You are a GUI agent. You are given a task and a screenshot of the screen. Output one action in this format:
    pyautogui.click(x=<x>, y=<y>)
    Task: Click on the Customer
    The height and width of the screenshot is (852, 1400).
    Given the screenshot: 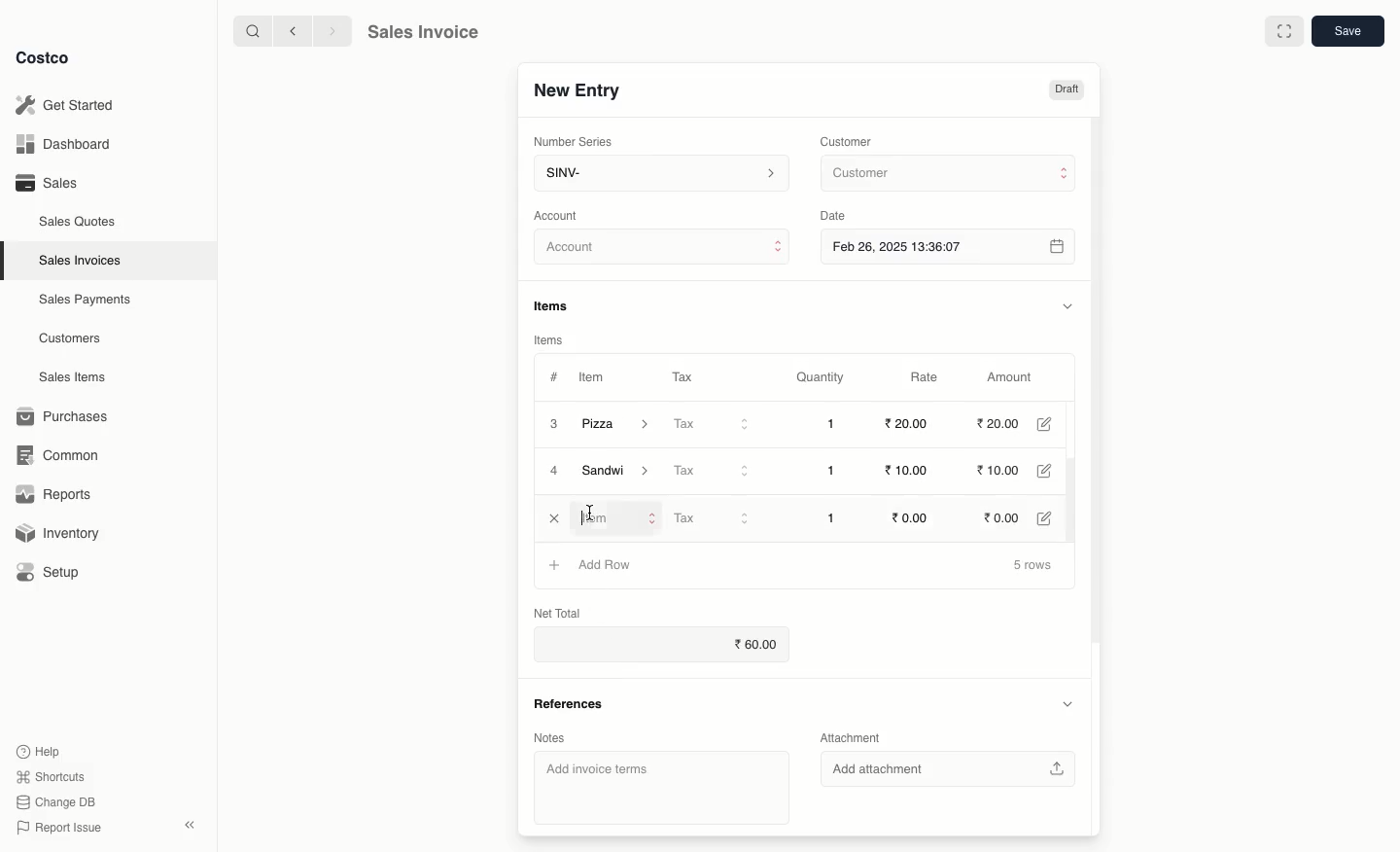 What is the action you would take?
    pyautogui.click(x=849, y=140)
    